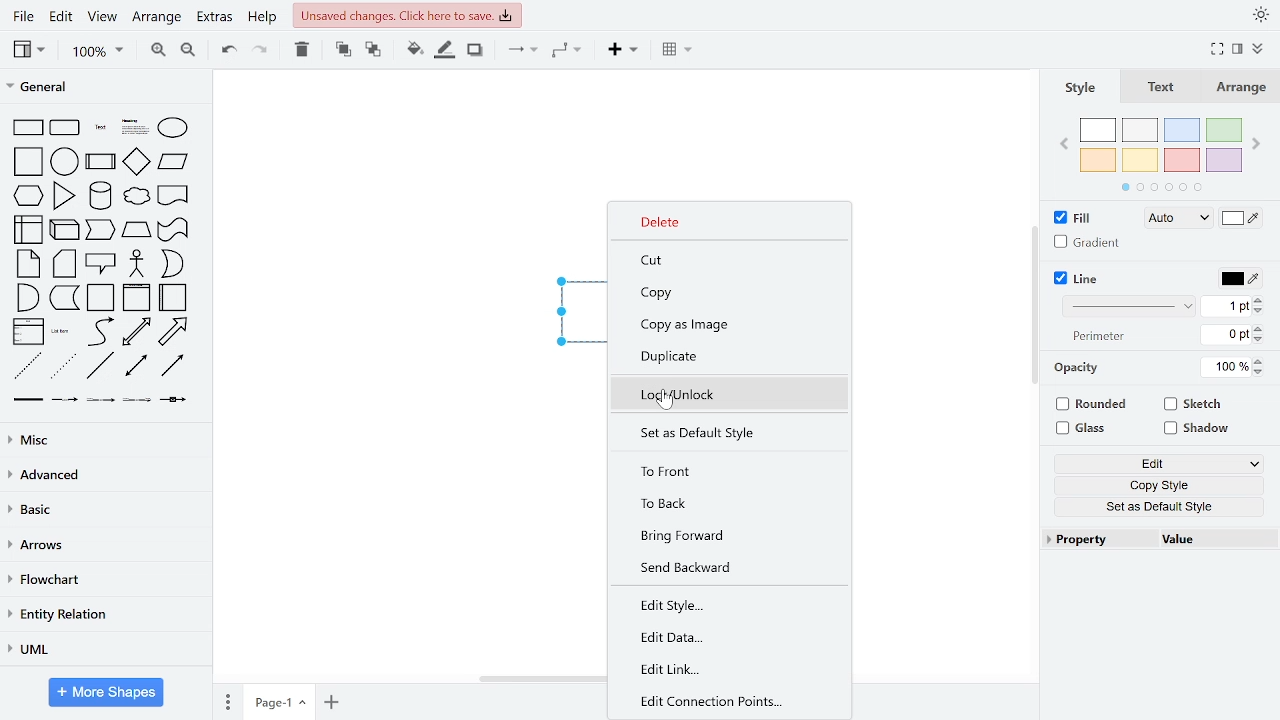  What do you see at coordinates (1158, 506) in the screenshot?
I see `set as default style` at bounding box center [1158, 506].